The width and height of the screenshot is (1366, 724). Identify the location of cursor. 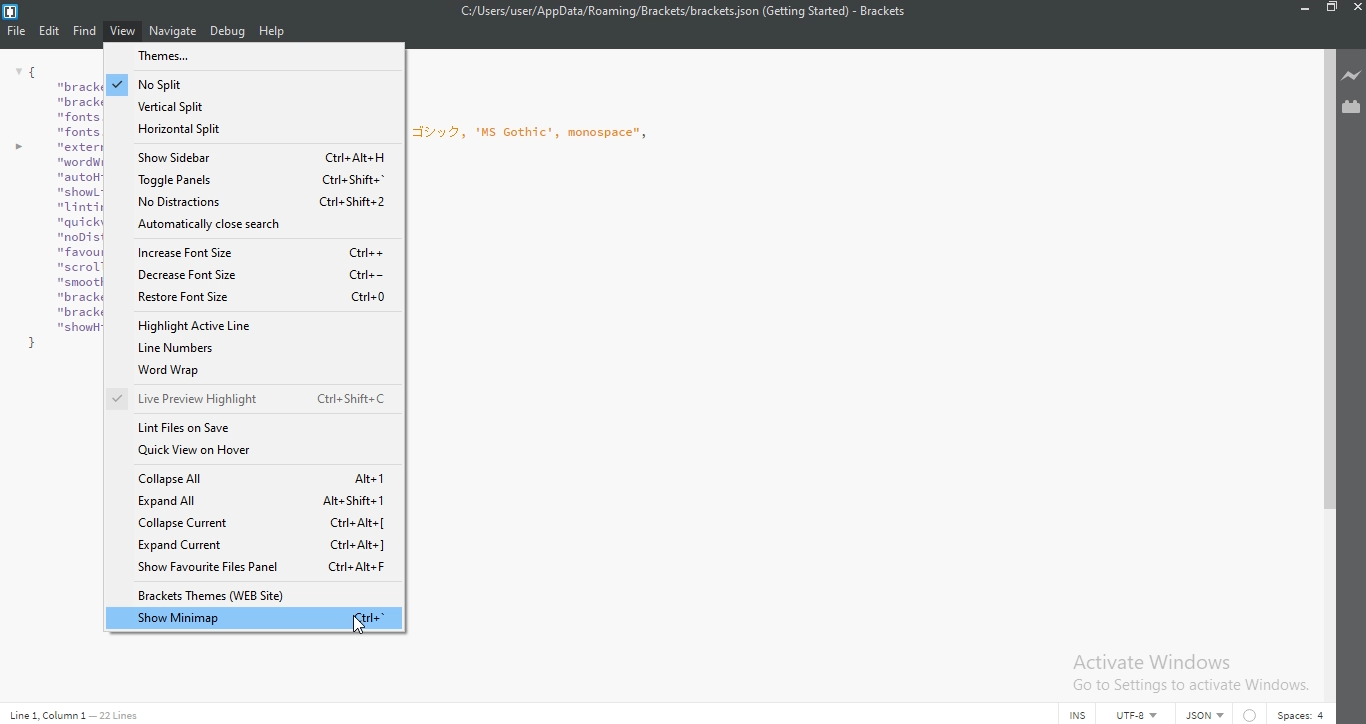
(360, 627).